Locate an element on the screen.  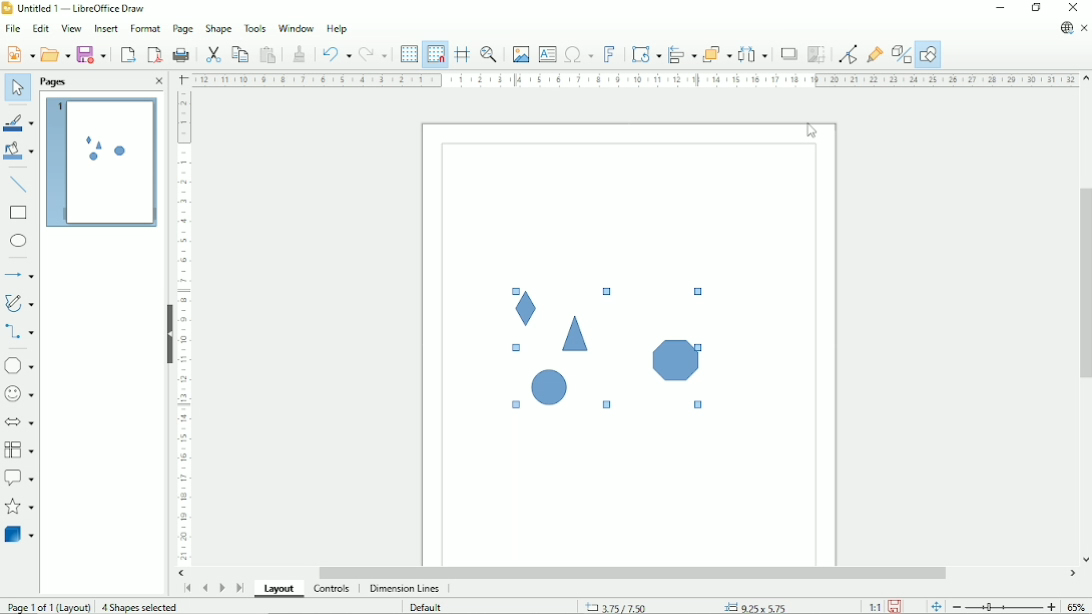
Horizontal scrollbar is located at coordinates (635, 572).